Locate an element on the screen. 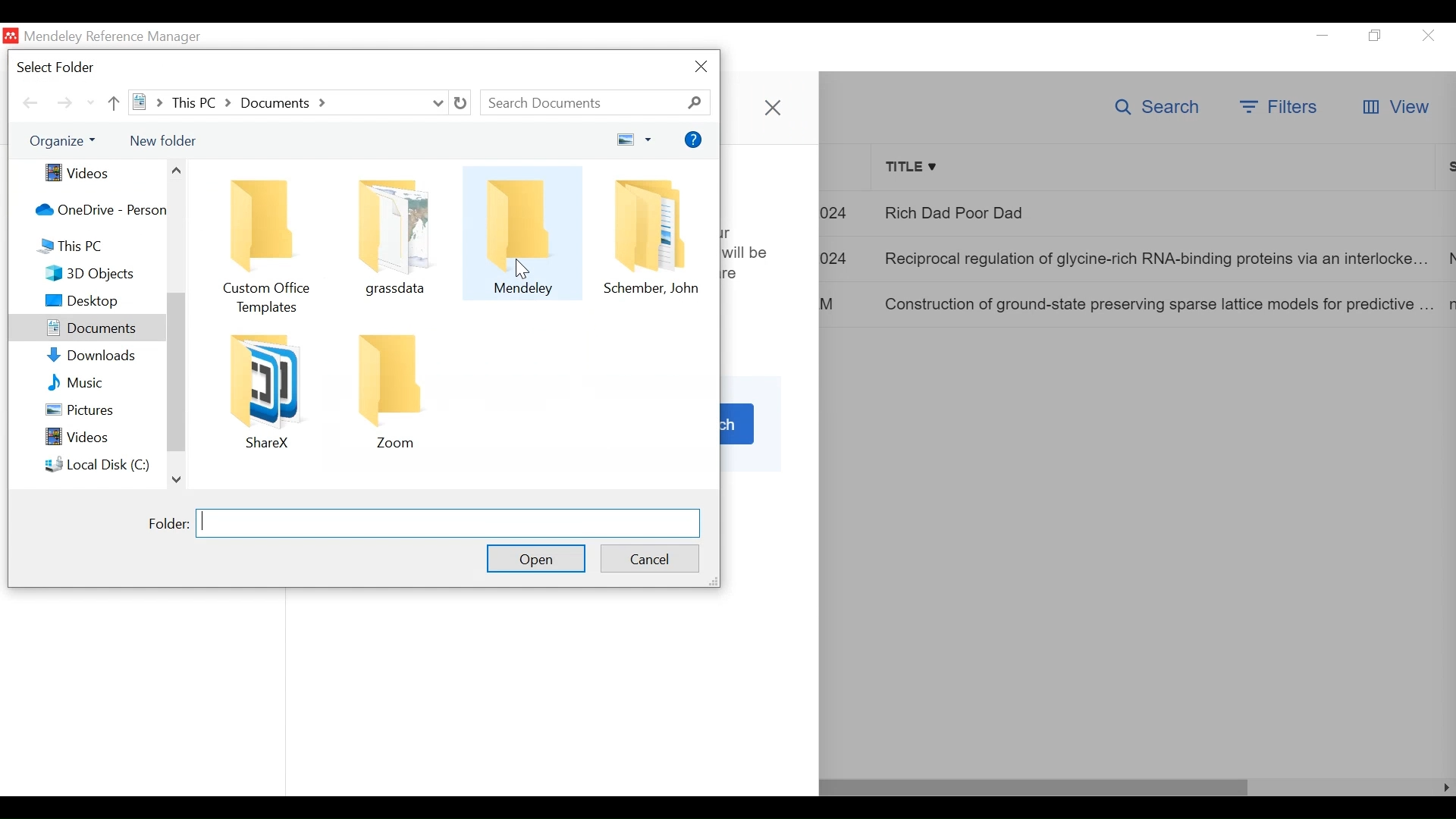  Horizontal Scroll bar is located at coordinates (1034, 787).